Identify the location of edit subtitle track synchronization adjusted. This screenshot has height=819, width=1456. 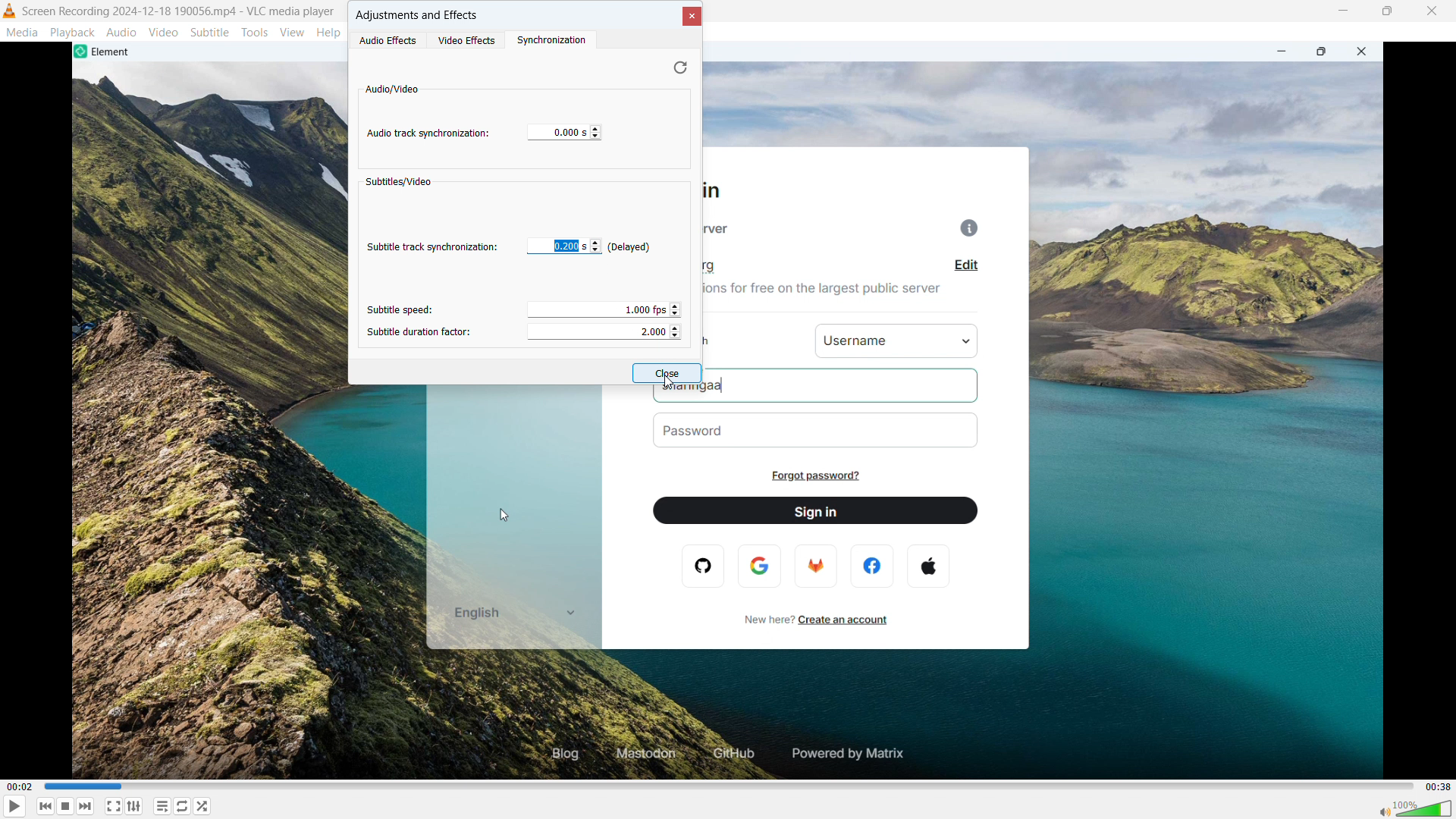
(557, 246).